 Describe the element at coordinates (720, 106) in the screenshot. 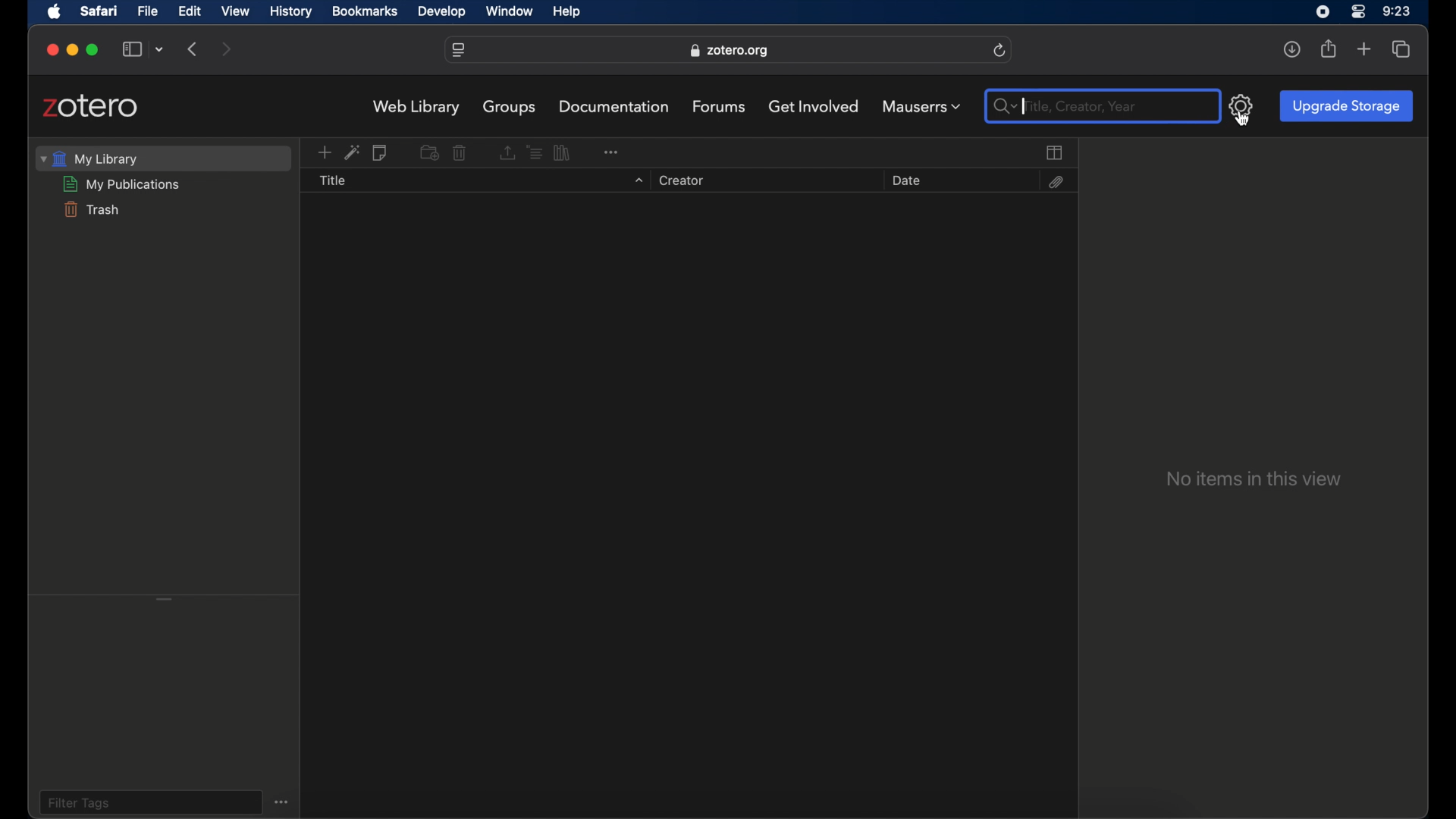

I see `forums` at that location.